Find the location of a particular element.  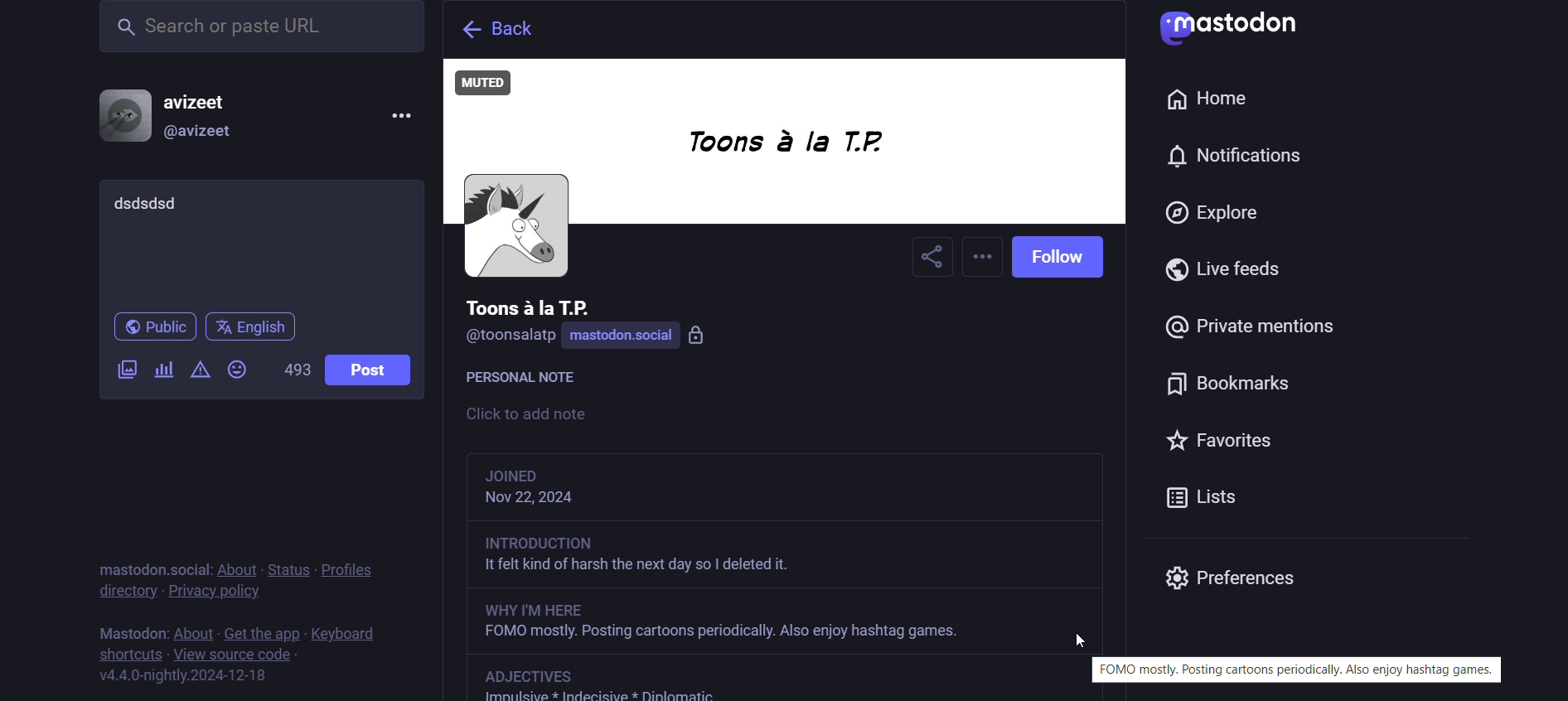

mastodon social is located at coordinates (645, 336).